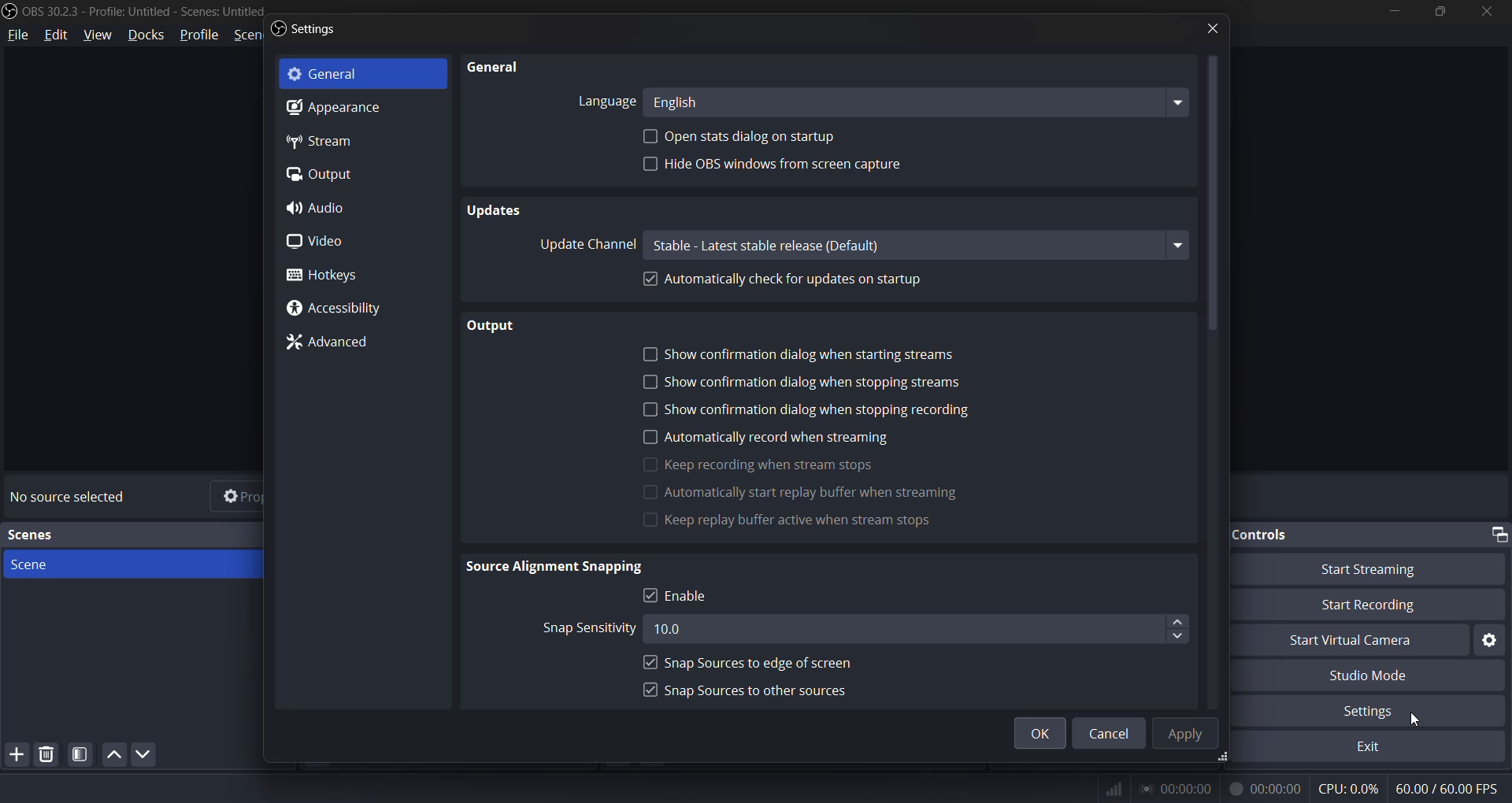  I want to click on advanced, so click(333, 343).